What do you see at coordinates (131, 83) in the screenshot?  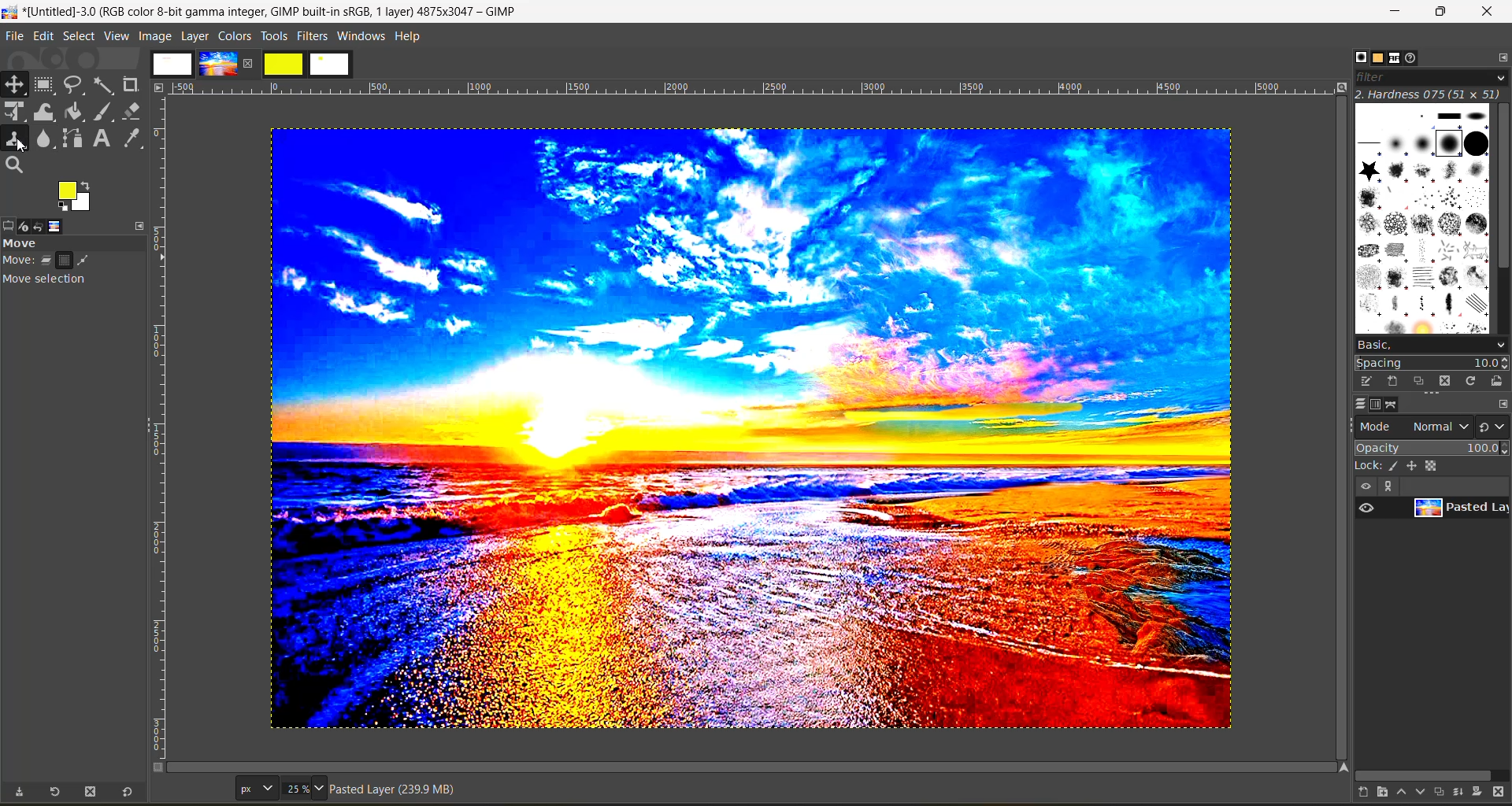 I see `crope tool` at bounding box center [131, 83].